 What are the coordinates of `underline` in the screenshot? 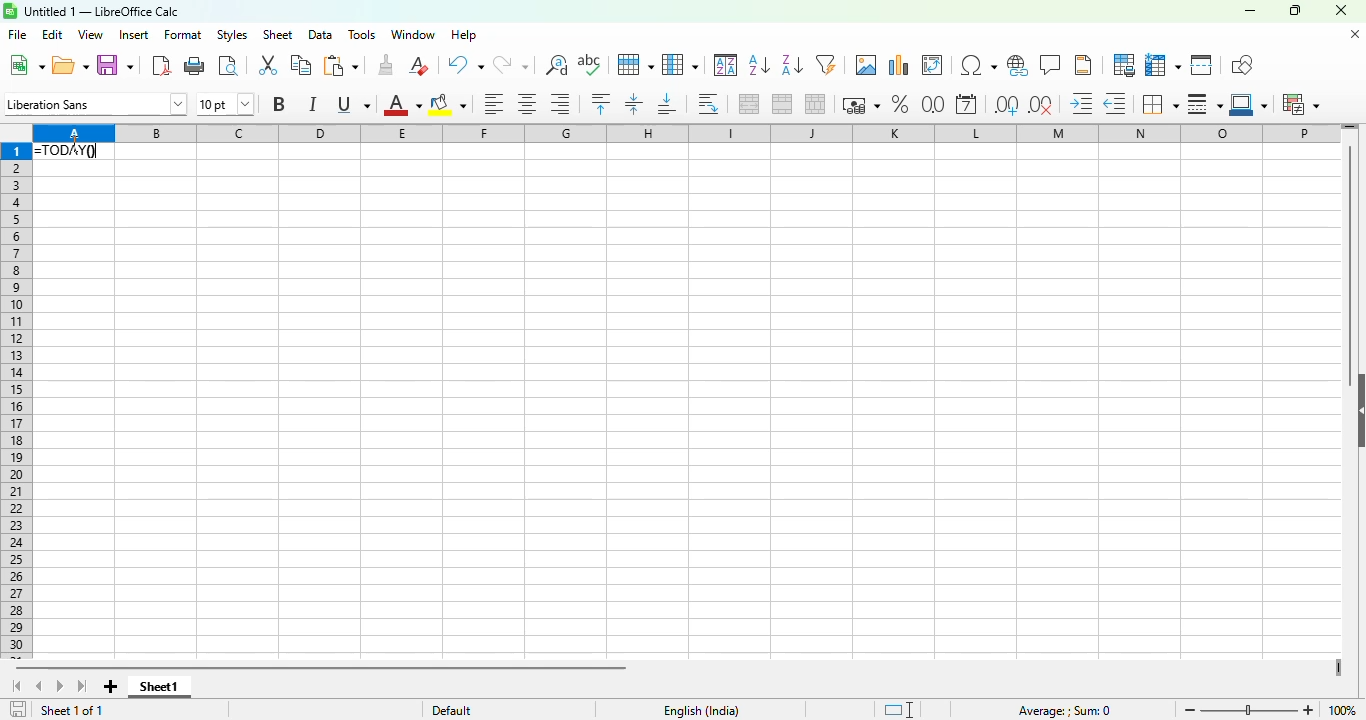 It's located at (353, 104).